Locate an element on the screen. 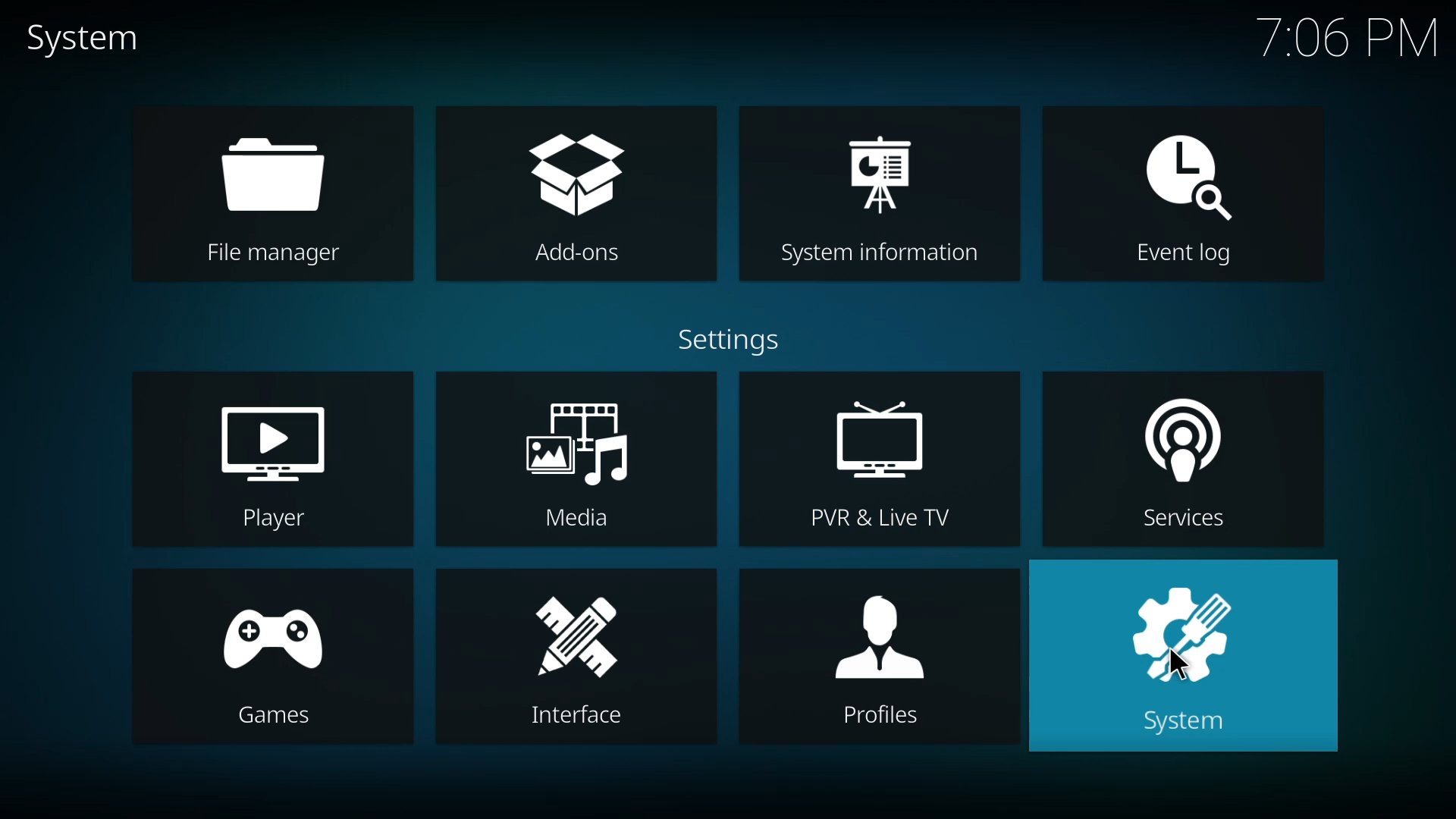 The height and width of the screenshot is (819, 1456). cursor is located at coordinates (1172, 661).